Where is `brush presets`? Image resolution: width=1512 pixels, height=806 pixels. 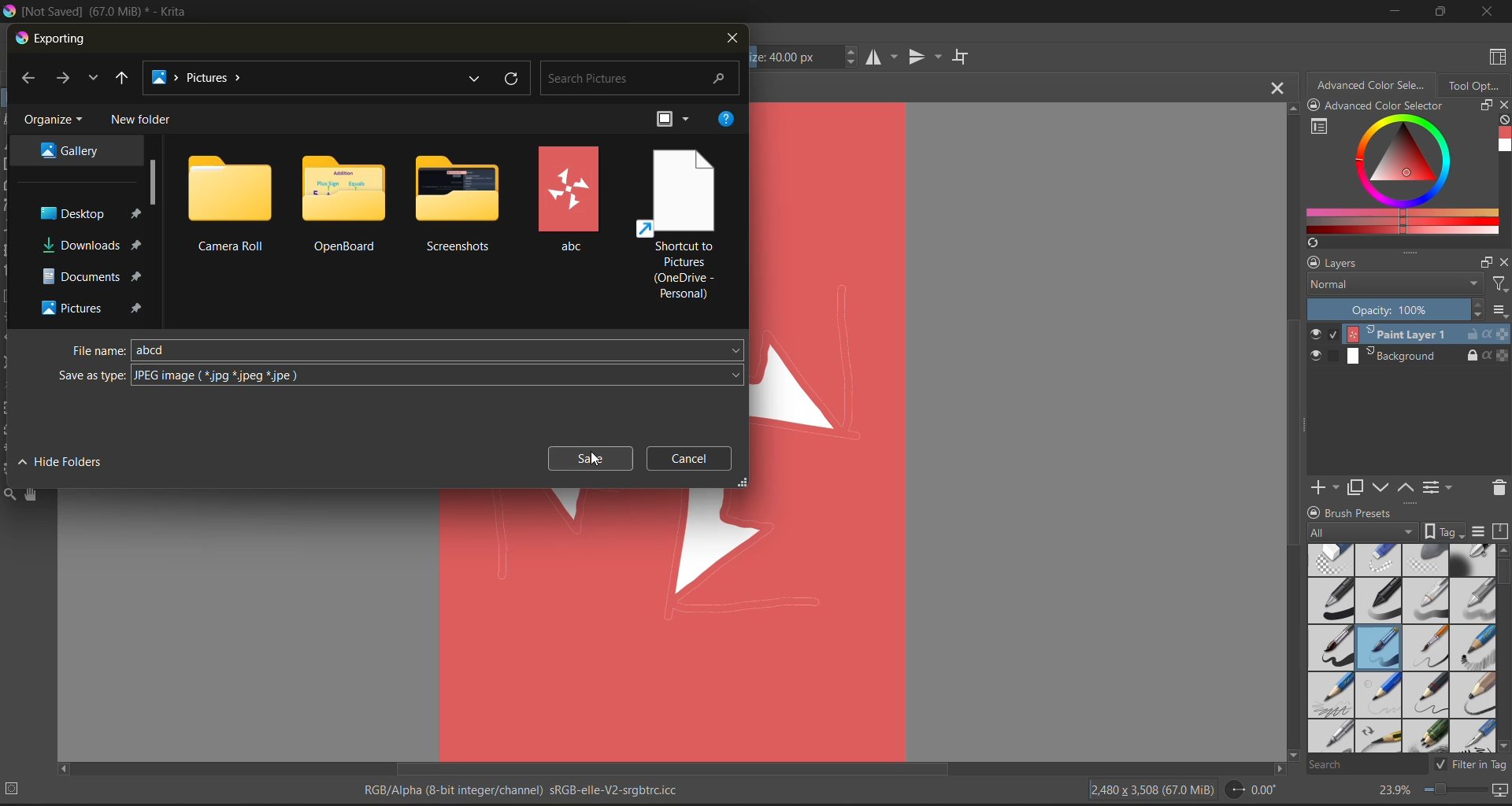 brush presets is located at coordinates (1403, 649).